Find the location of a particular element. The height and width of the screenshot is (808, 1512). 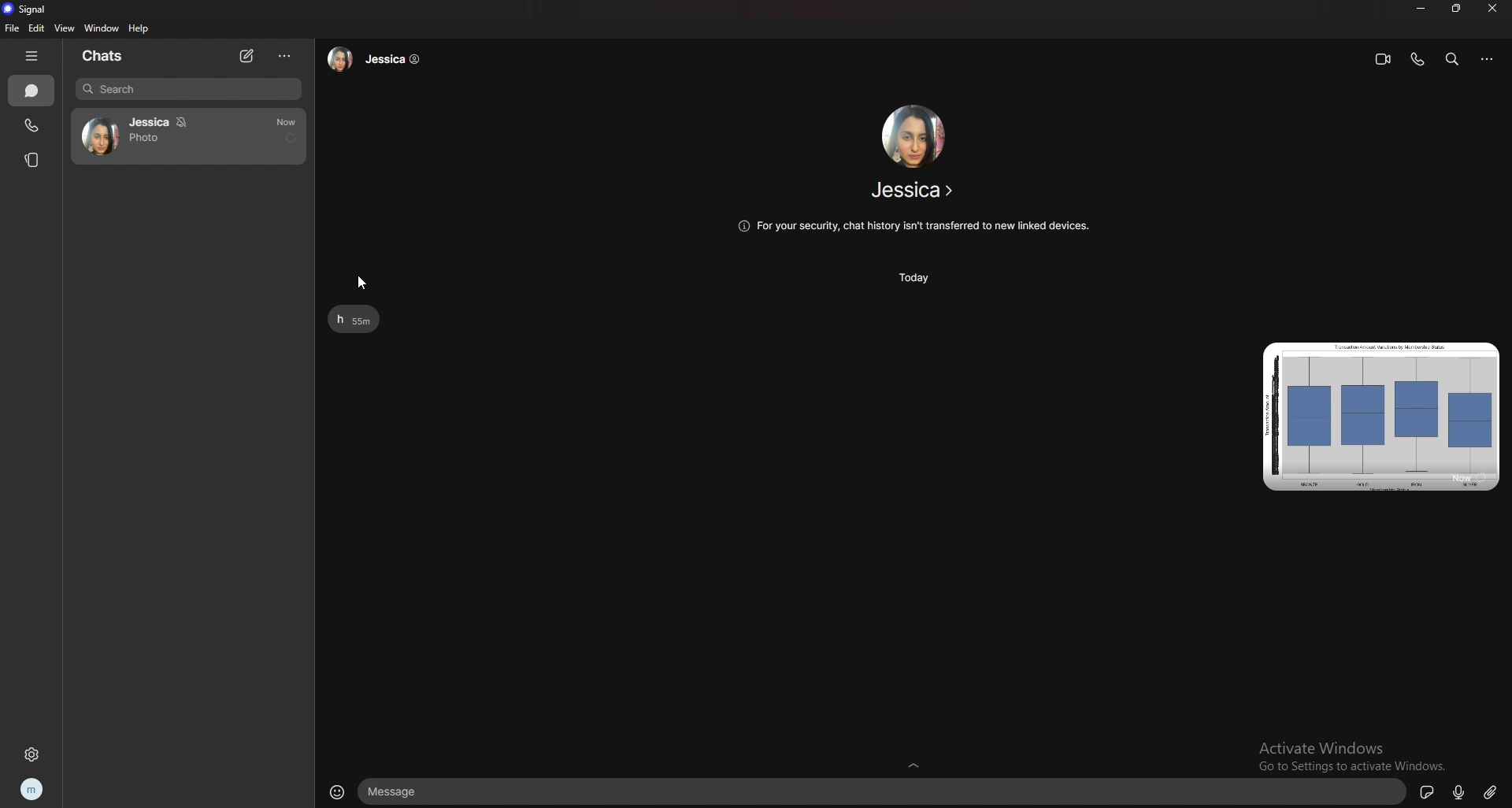

view is located at coordinates (65, 28).